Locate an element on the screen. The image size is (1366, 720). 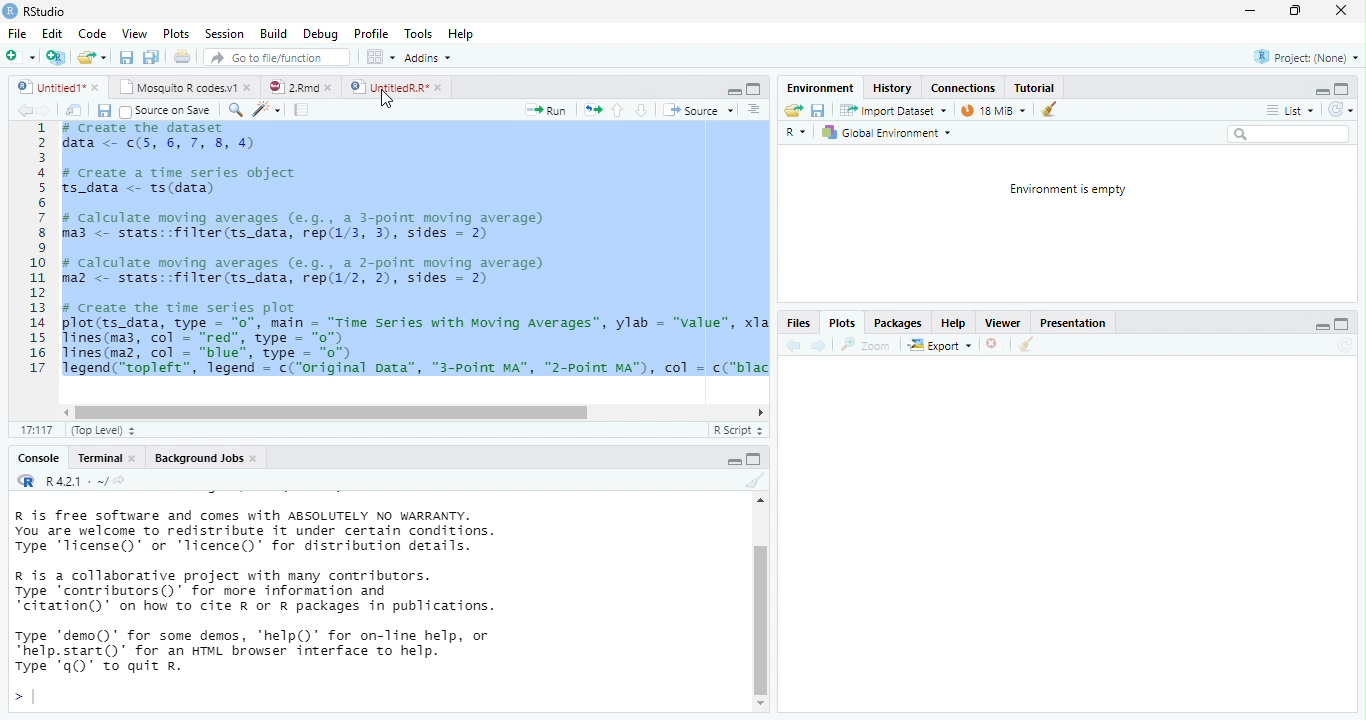
close is located at coordinates (136, 459).